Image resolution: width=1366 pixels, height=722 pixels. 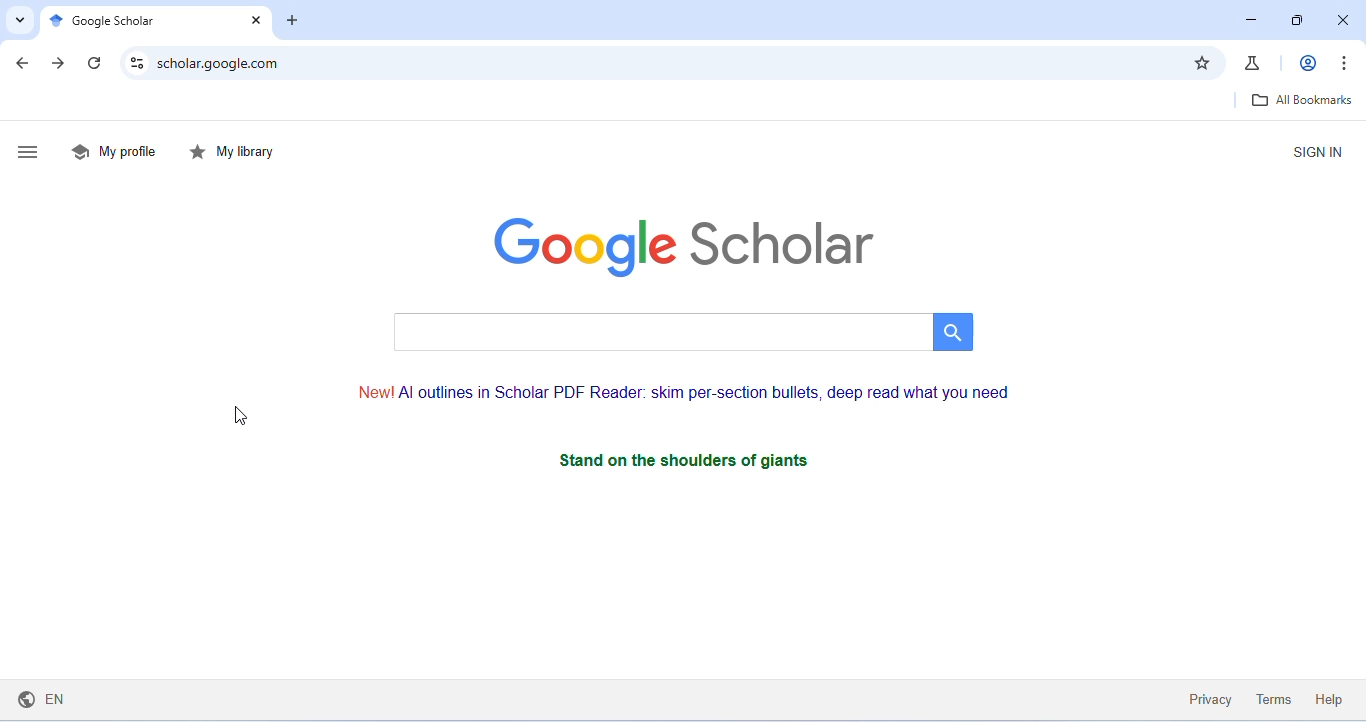 What do you see at coordinates (1275, 699) in the screenshot?
I see `terms` at bounding box center [1275, 699].